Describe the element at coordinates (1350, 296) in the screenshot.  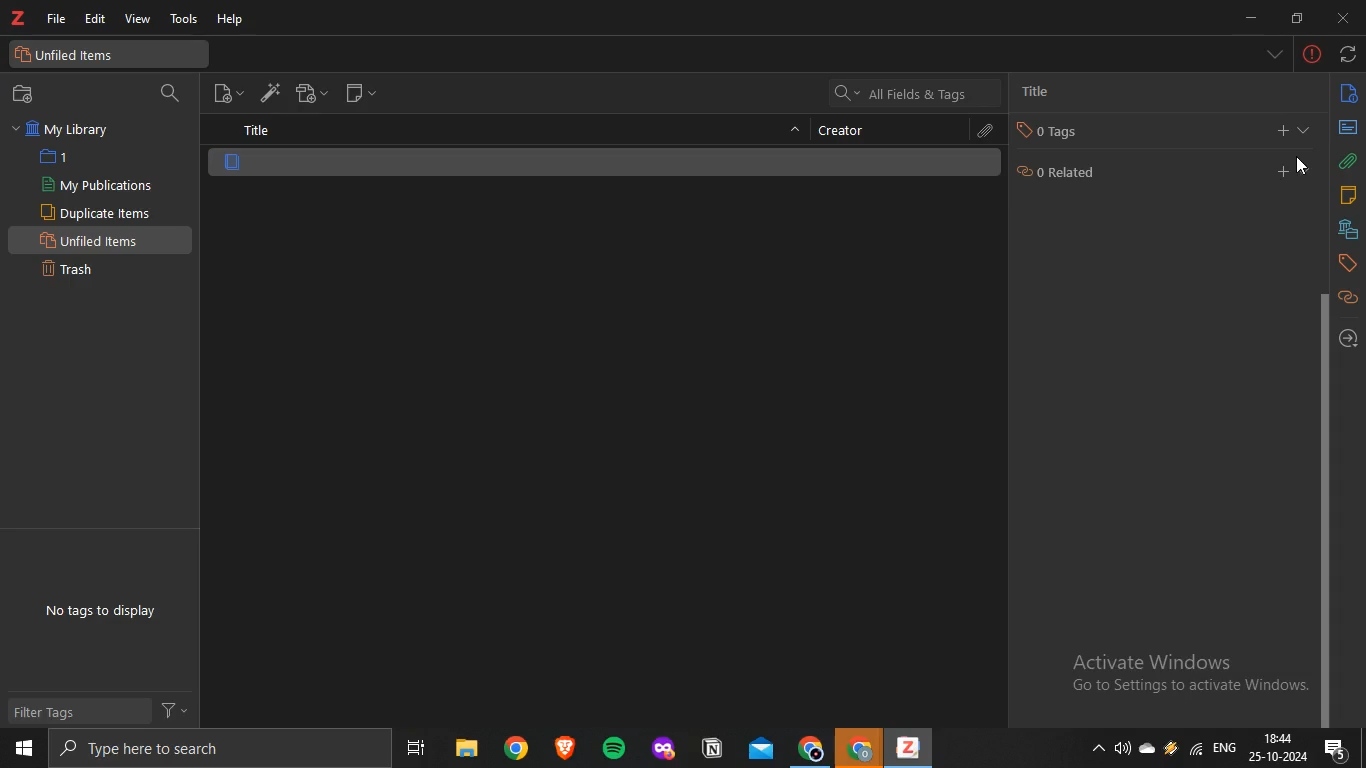
I see `related` at that location.